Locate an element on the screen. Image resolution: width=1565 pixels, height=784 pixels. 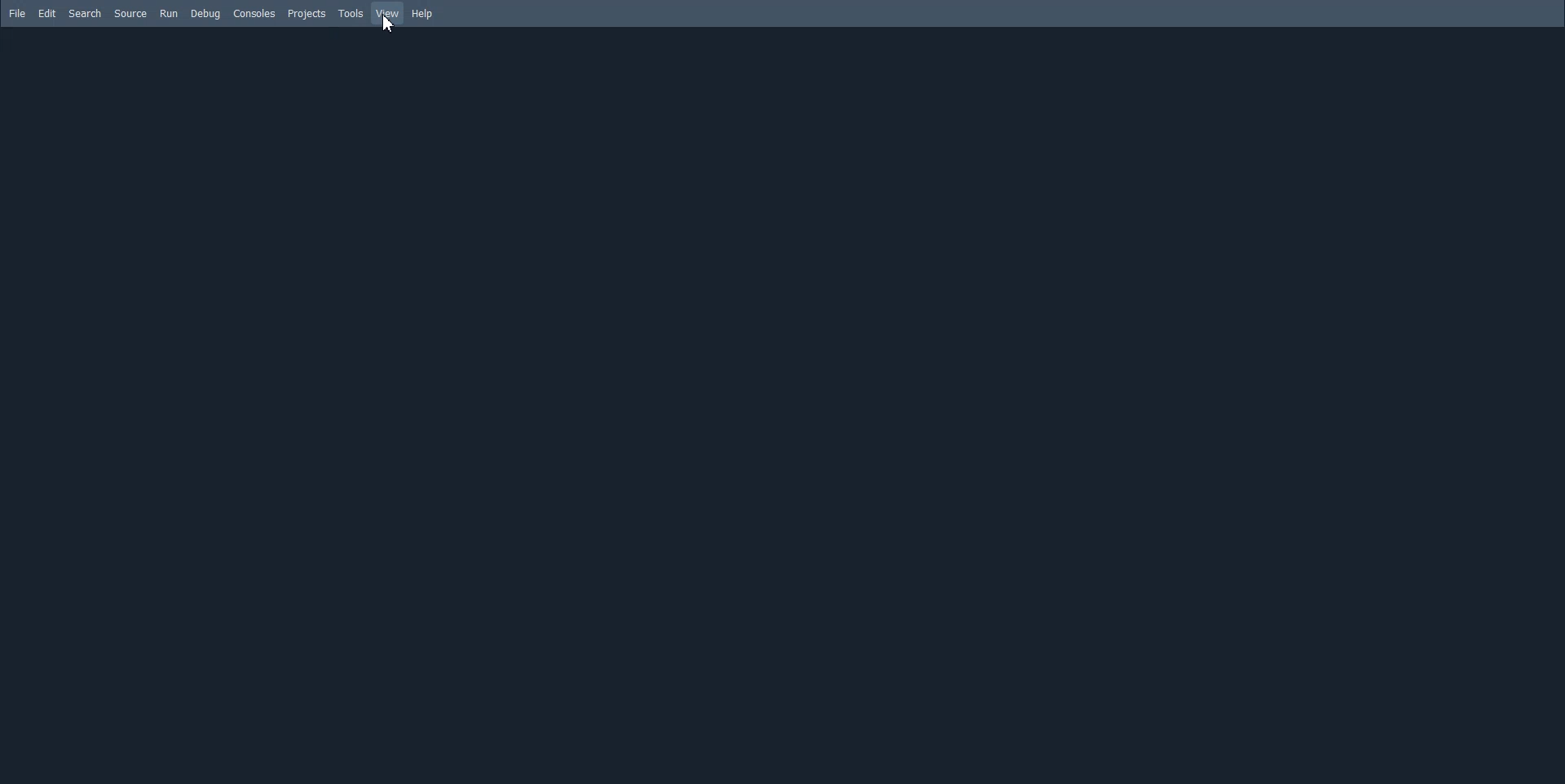
File is located at coordinates (16, 13).